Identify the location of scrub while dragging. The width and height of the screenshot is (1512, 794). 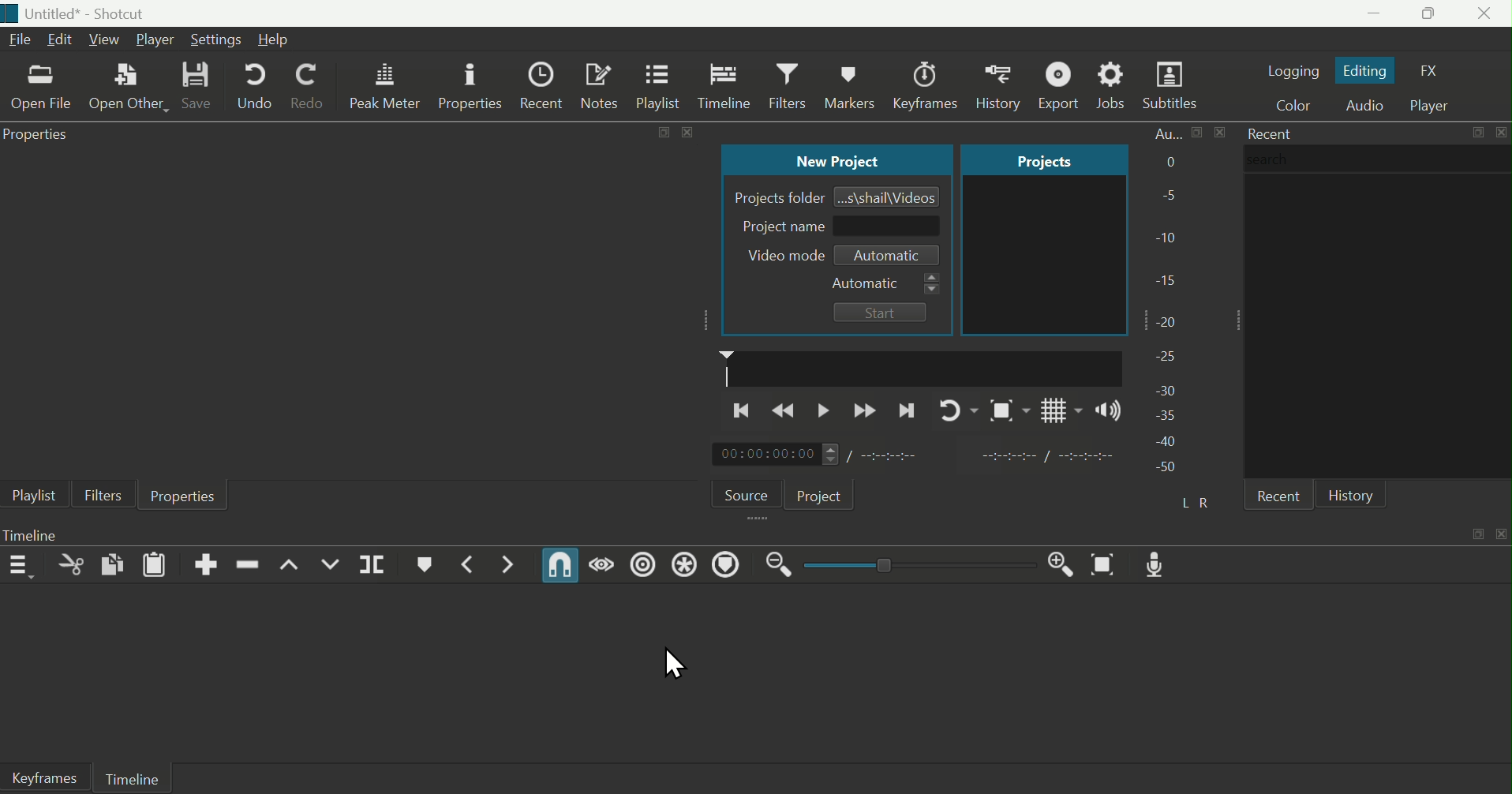
(603, 564).